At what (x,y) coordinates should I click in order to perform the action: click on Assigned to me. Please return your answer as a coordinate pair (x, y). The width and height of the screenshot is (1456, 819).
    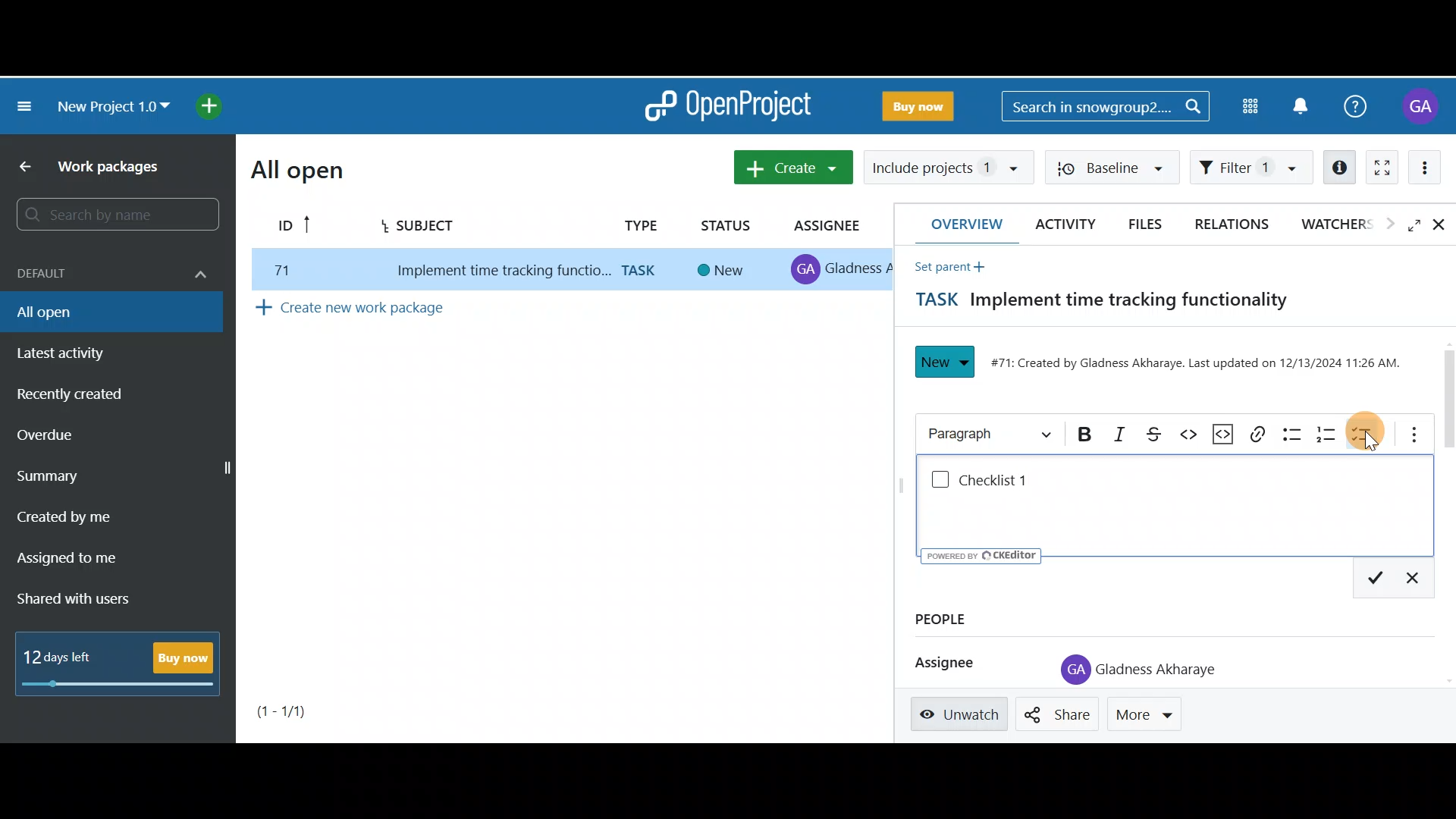
    Looking at the image, I should click on (74, 557).